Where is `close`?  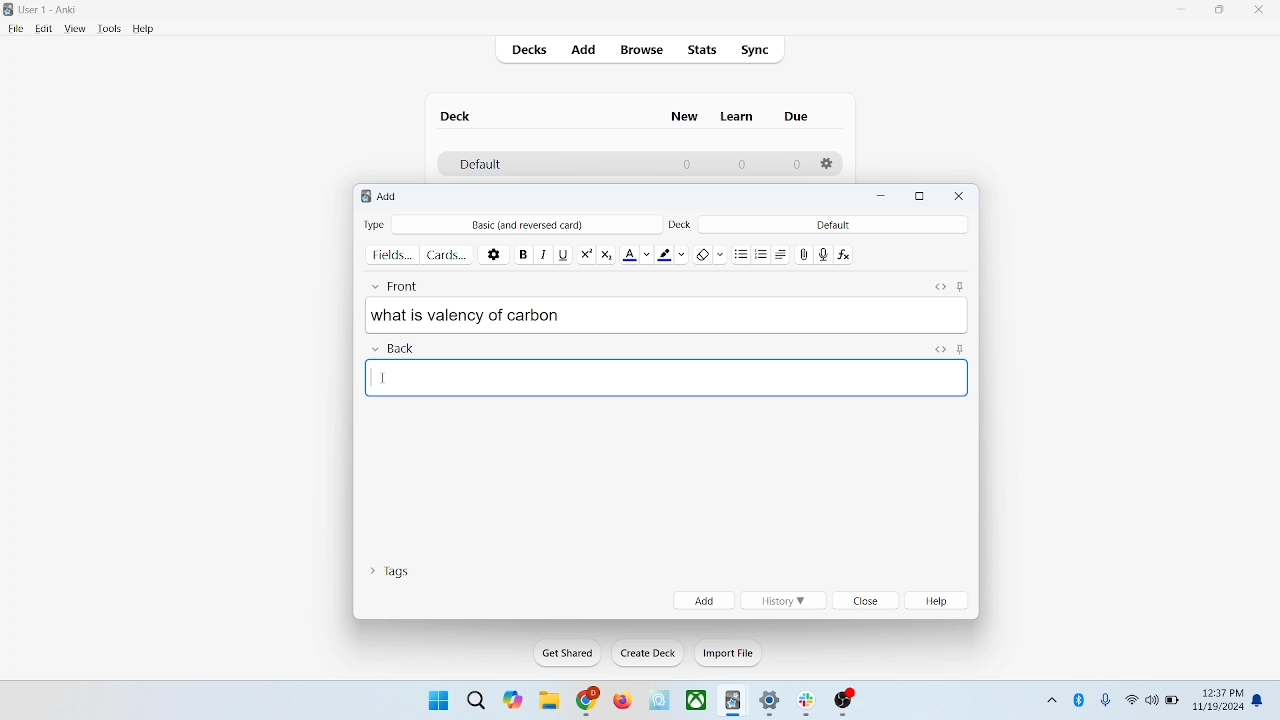 close is located at coordinates (867, 602).